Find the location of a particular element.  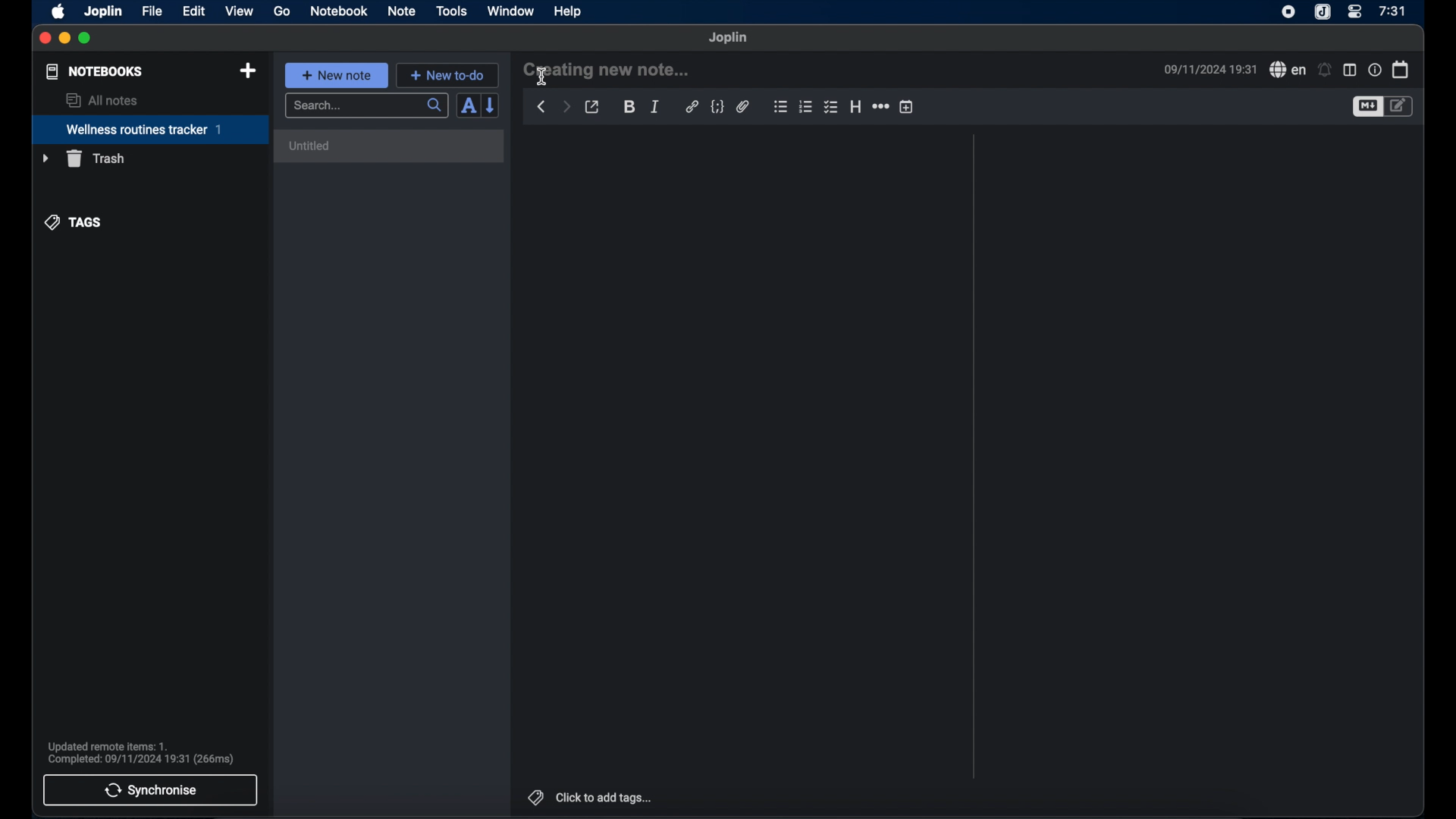

toggle external editor is located at coordinates (592, 106).